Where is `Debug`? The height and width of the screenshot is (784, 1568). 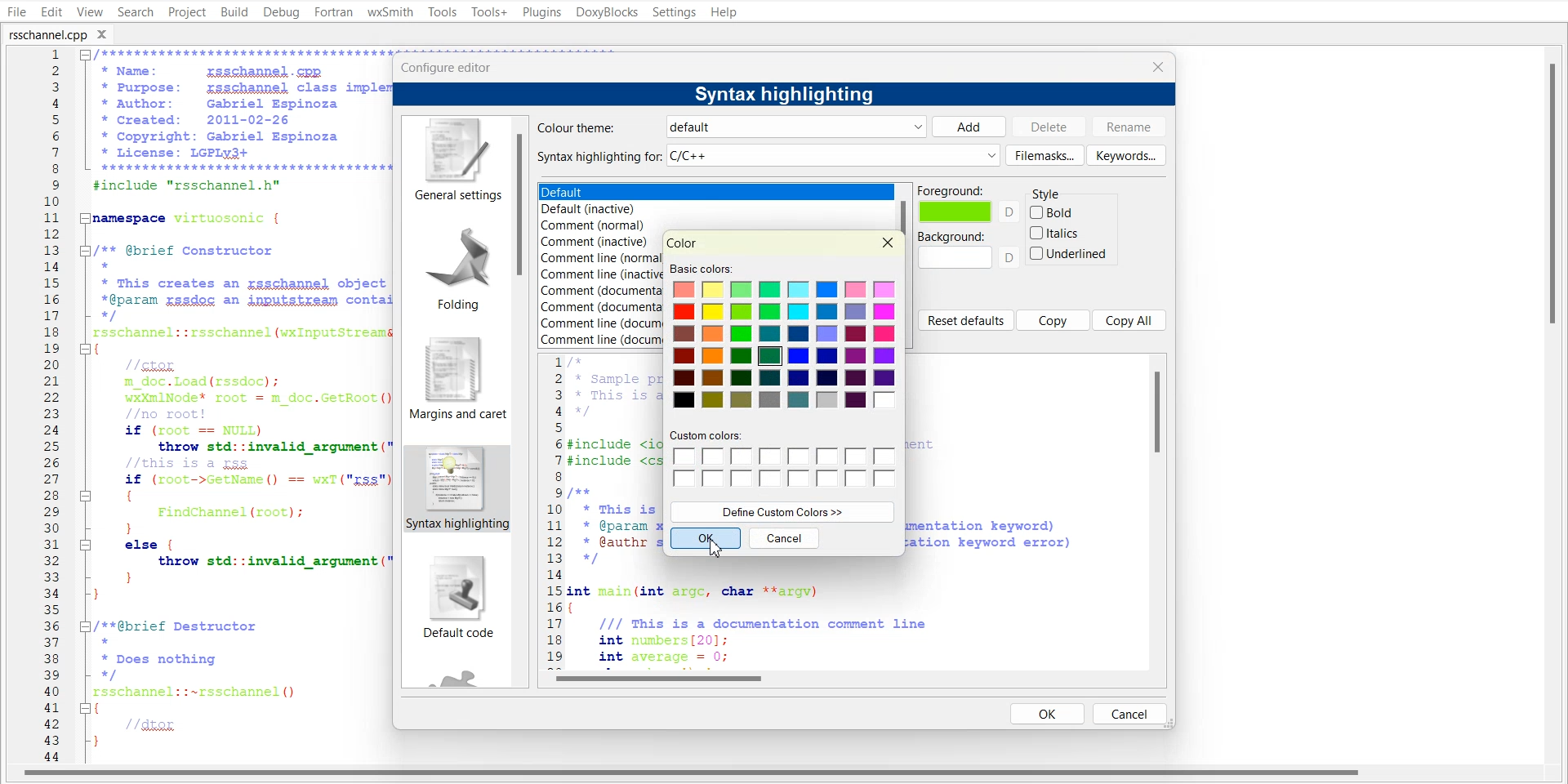
Debug is located at coordinates (282, 13).